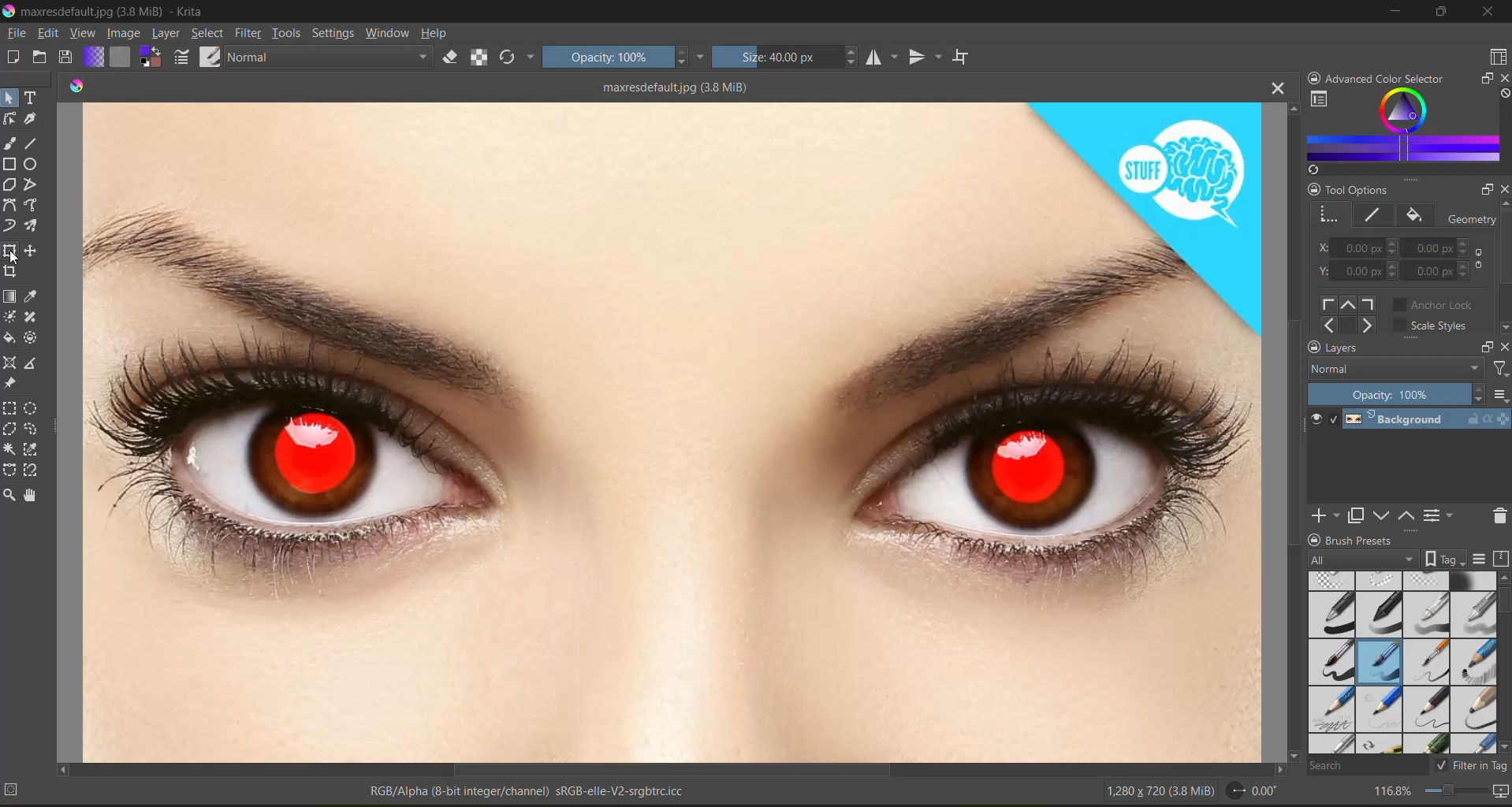 The image size is (1512, 807). I want to click on mask down, so click(1384, 515).